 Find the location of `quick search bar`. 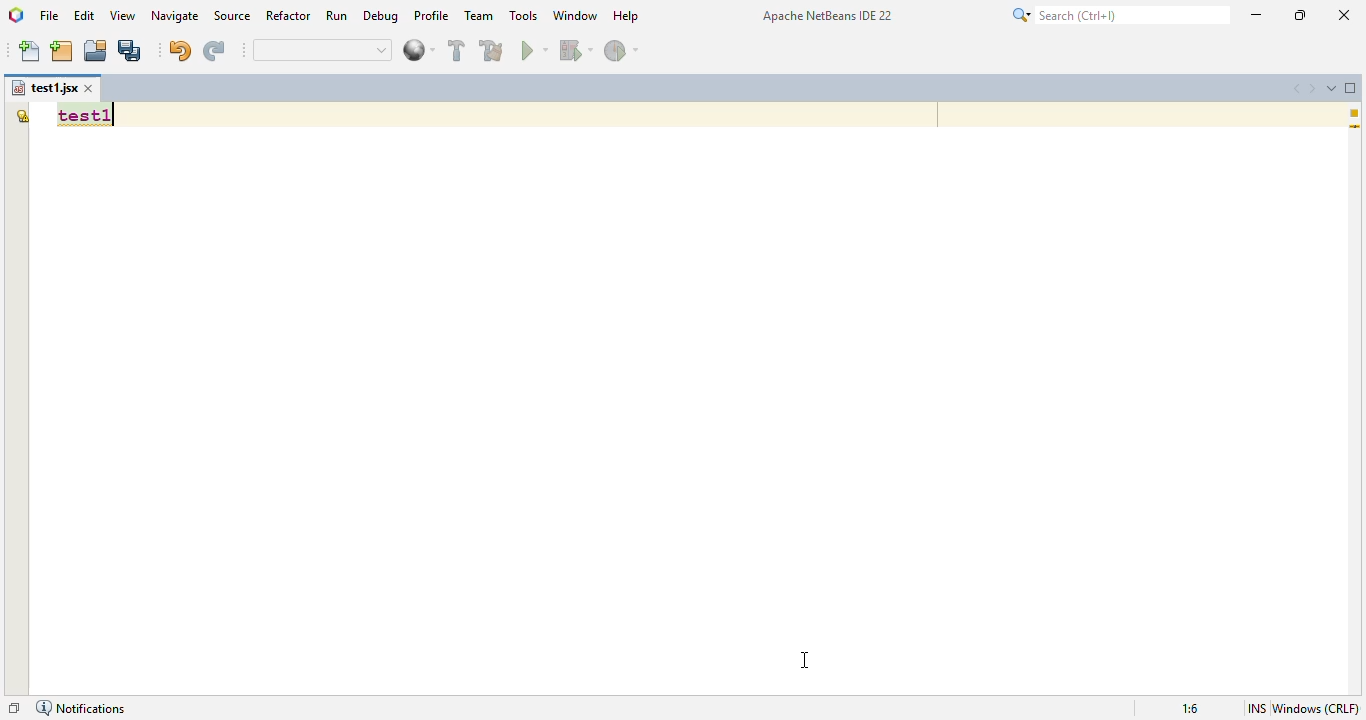

quick search bar is located at coordinates (324, 50).